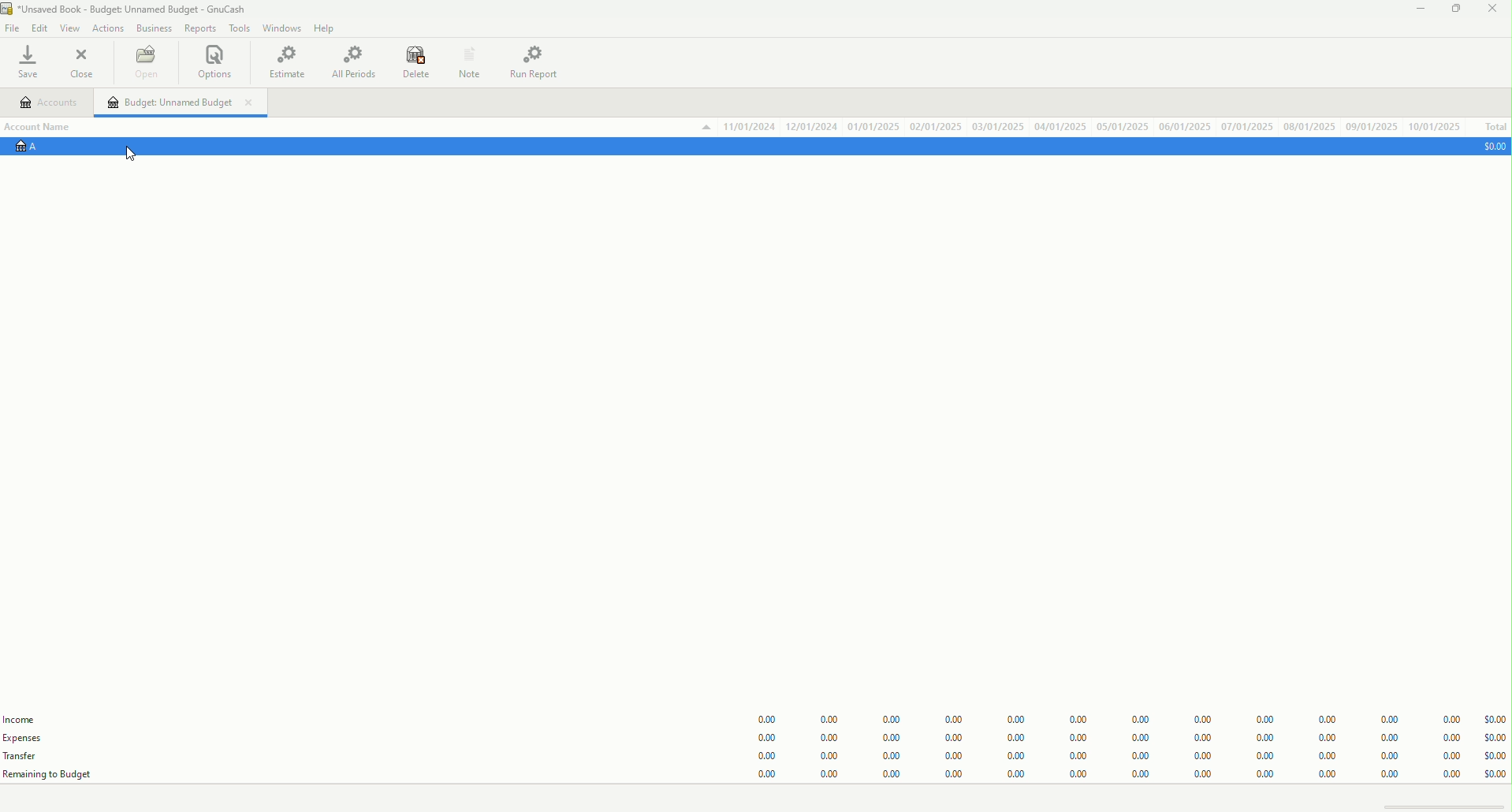  I want to click on Estimate, so click(287, 63).